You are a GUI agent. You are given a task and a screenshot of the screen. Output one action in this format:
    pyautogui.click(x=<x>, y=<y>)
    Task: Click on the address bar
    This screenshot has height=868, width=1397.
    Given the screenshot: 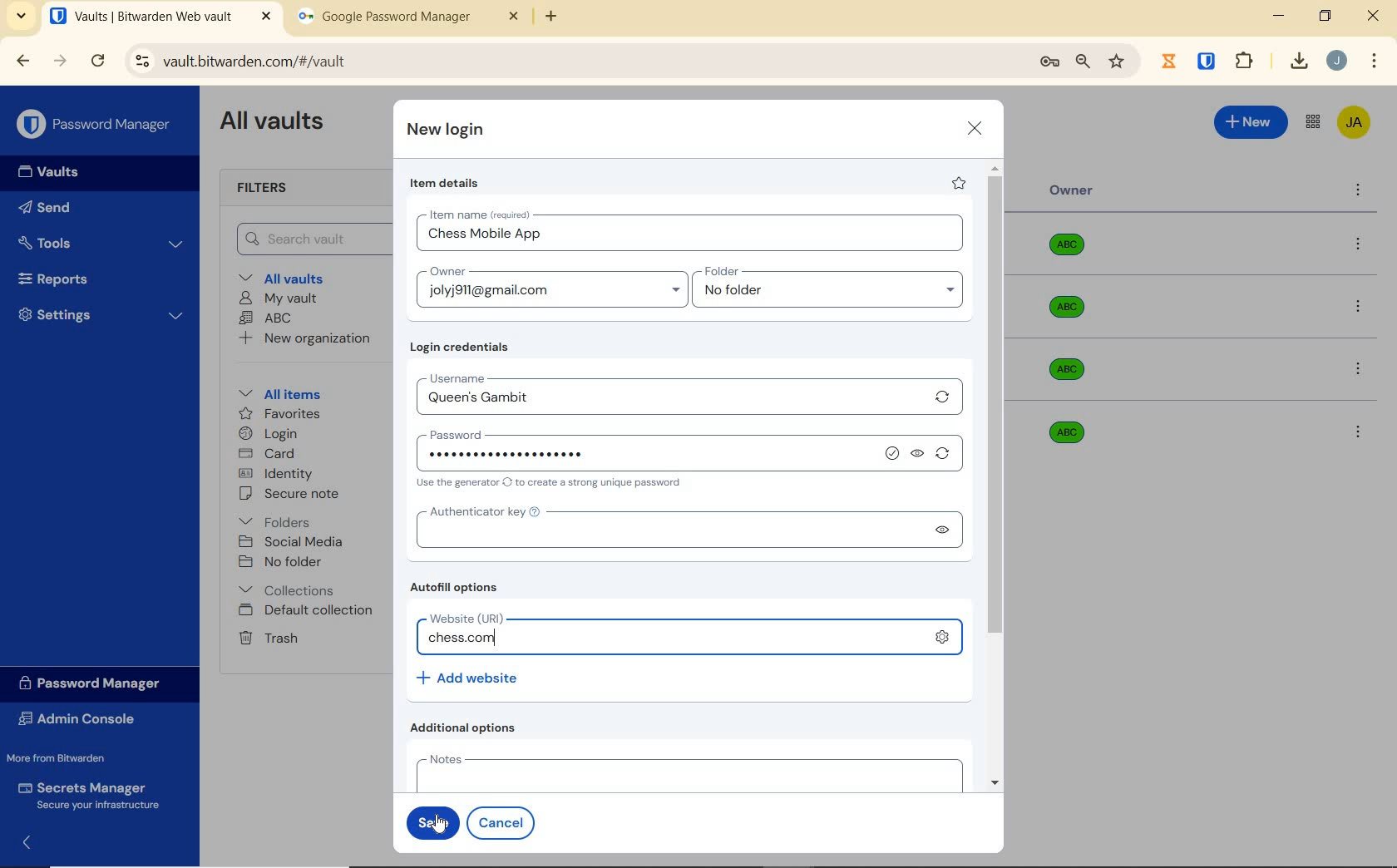 What is the action you would take?
    pyautogui.click(x=573, y=62)
    